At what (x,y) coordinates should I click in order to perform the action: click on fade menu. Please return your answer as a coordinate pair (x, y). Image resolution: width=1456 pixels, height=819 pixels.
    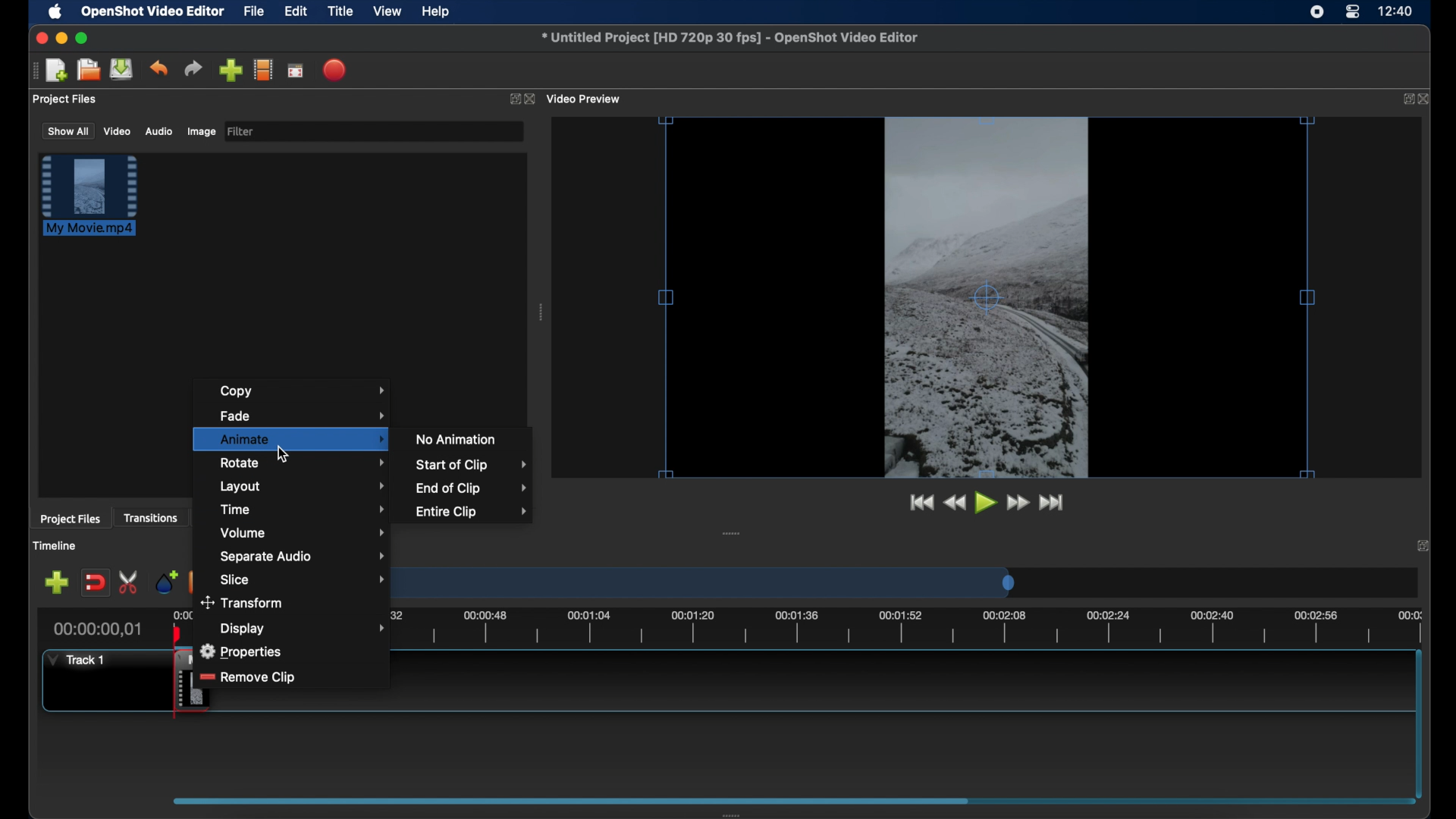
    Looking at the image, I should click on (303, 414).